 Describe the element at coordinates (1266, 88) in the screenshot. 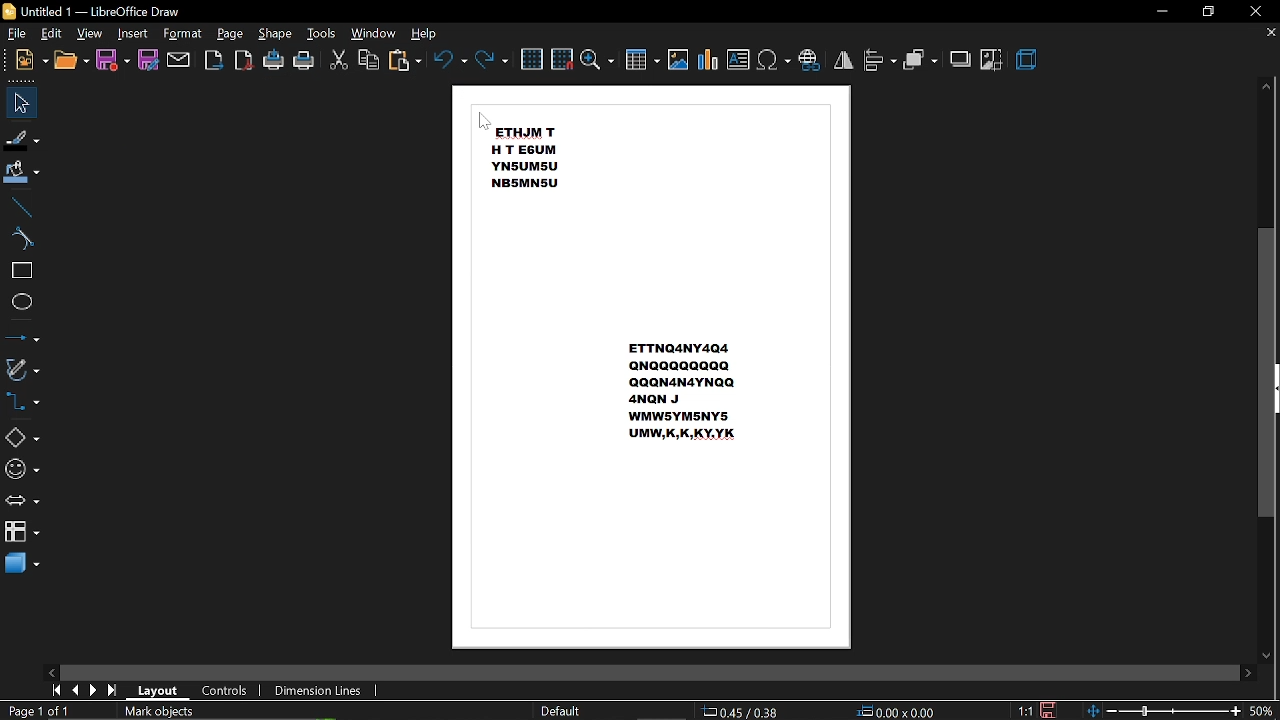

I see `Move up` at that location.